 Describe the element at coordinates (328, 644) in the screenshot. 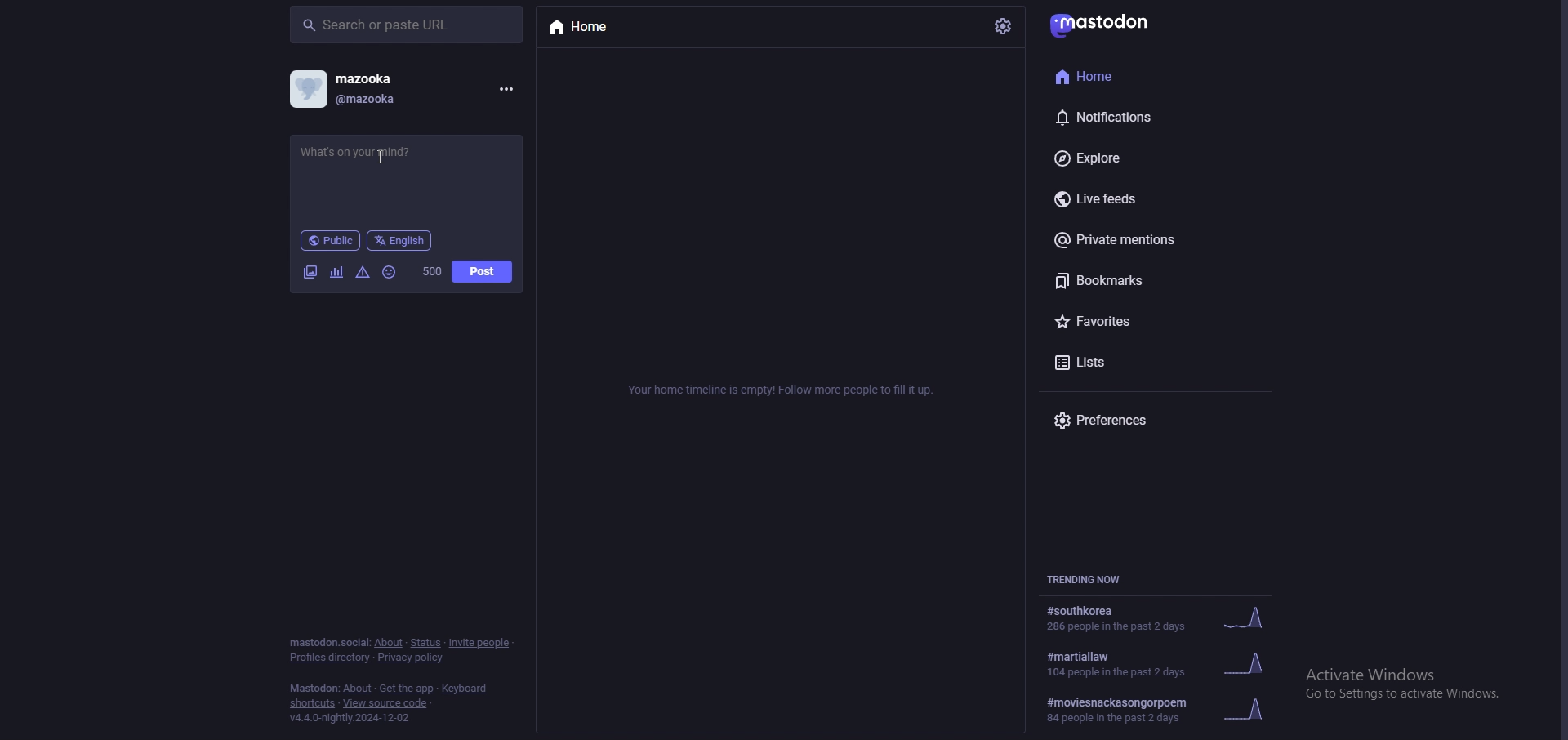

I see `mastodon social` at that location.